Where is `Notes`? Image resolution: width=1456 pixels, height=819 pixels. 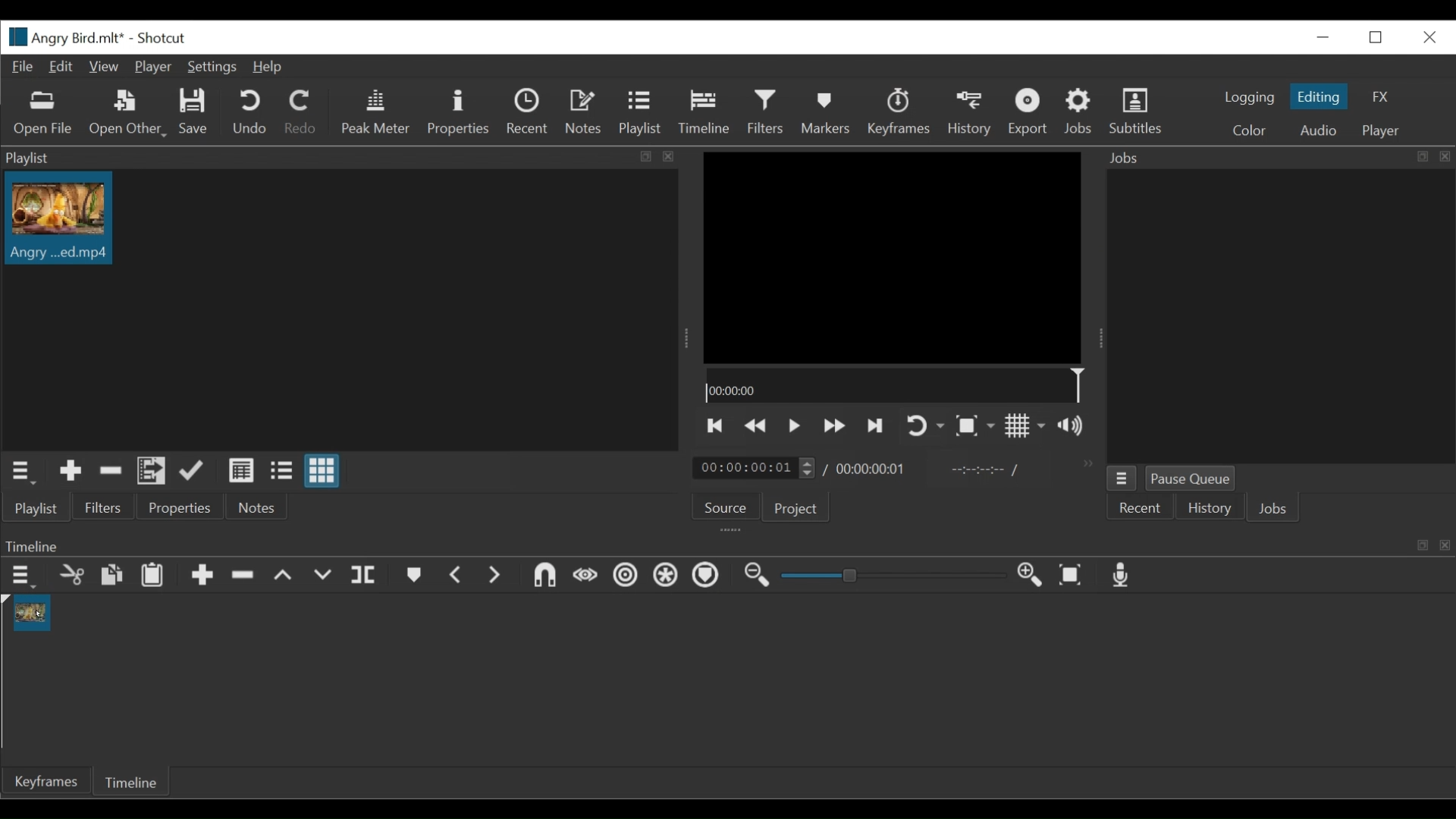
Notes is located at coordinates (586, 114).